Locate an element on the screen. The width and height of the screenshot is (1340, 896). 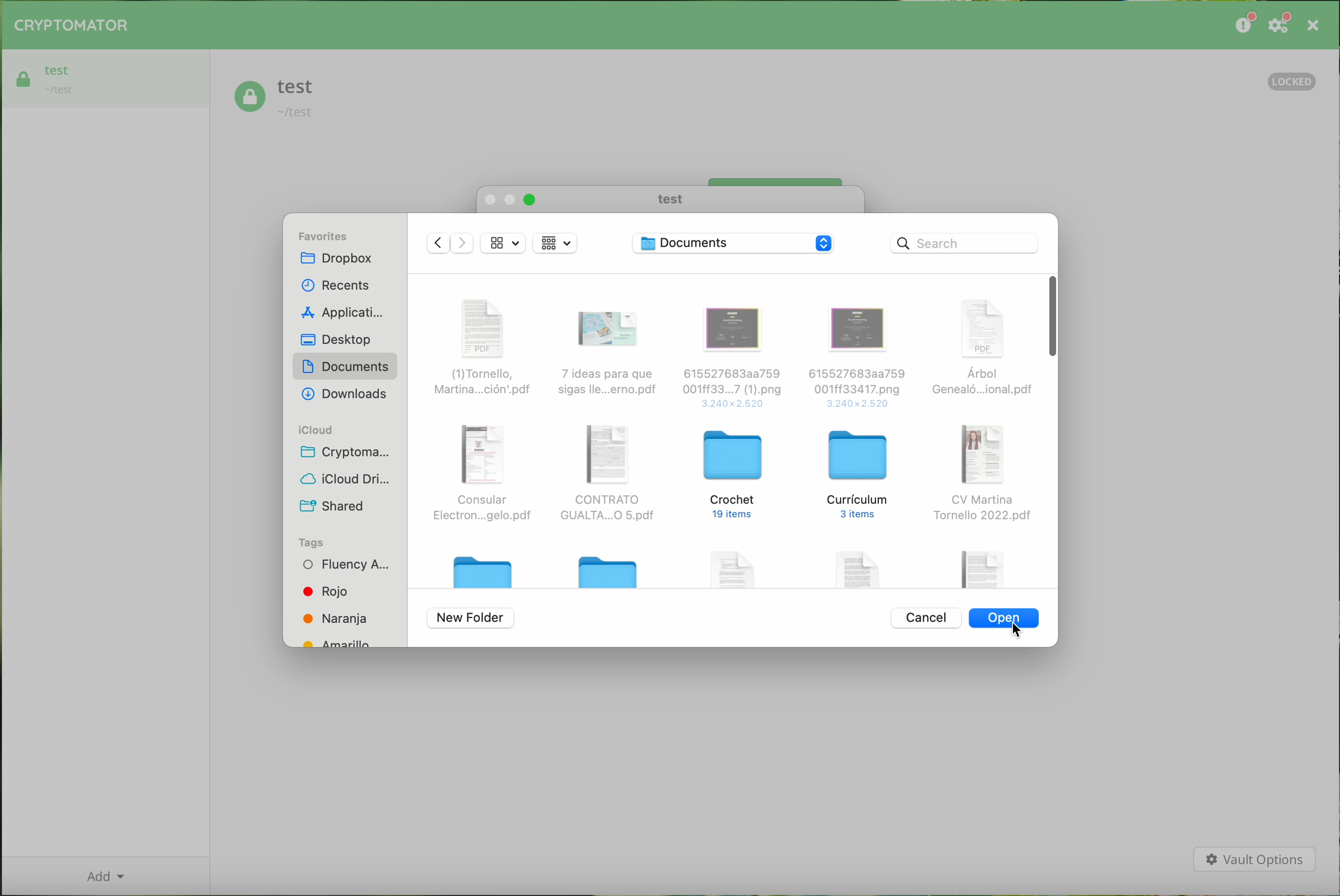
curriculum is located at coordinates (859, 475).